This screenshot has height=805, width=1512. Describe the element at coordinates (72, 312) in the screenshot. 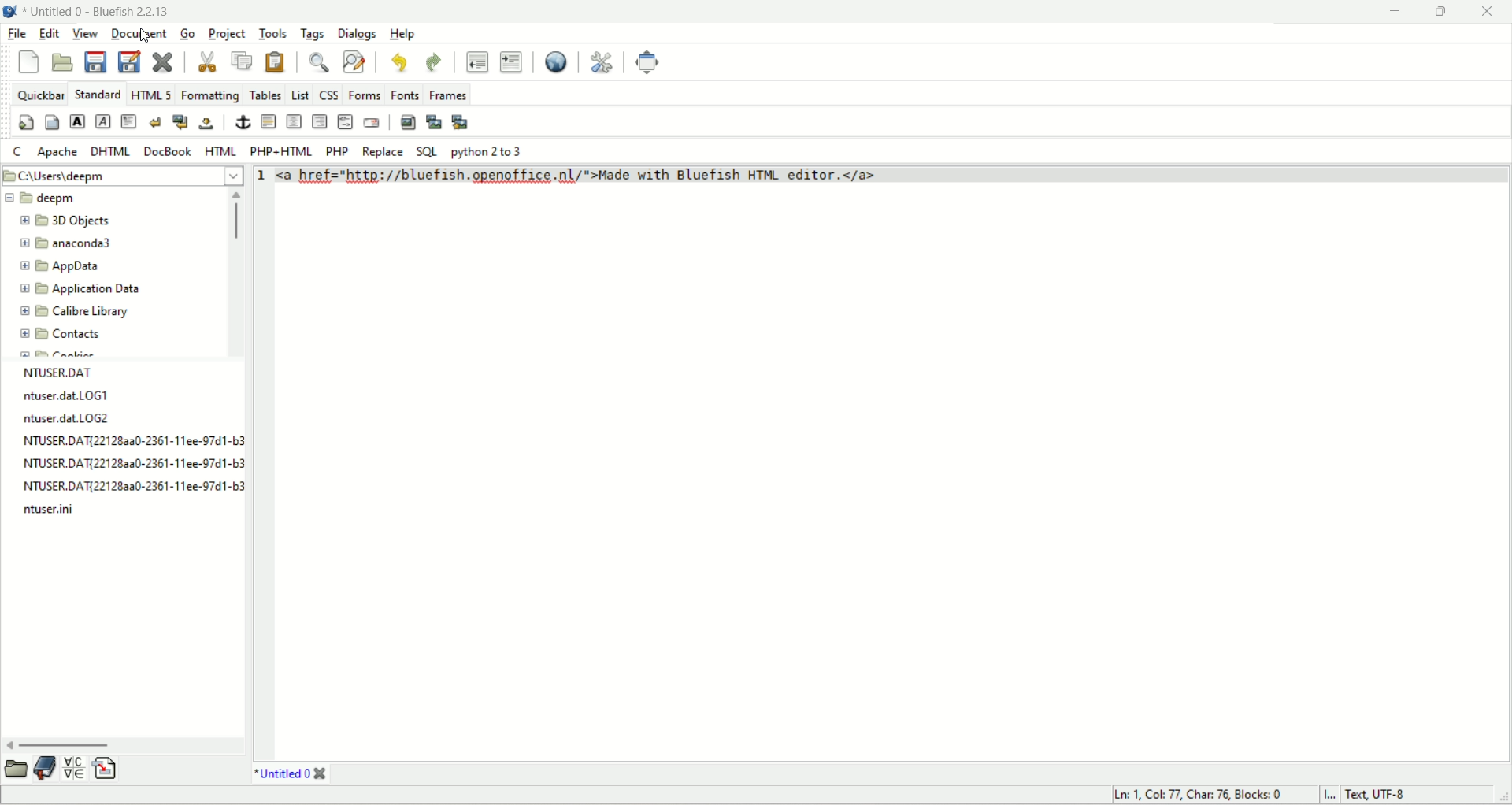

I see `calibre library` at that location.